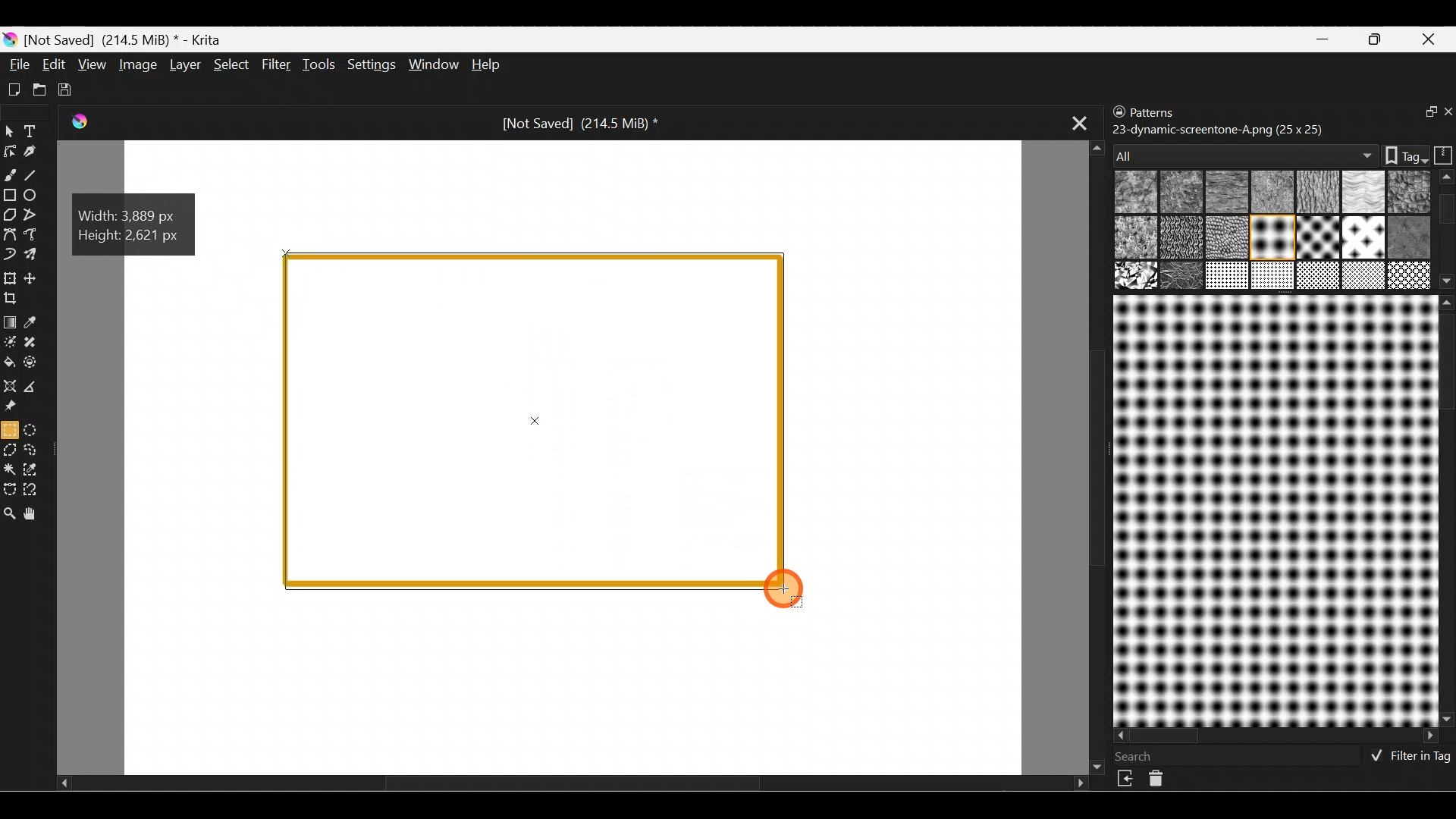 The height and width of the screenshot is (819, 1456). Describe the element at coordinates (17, 64) in the screenshot. I see `File` at that location.